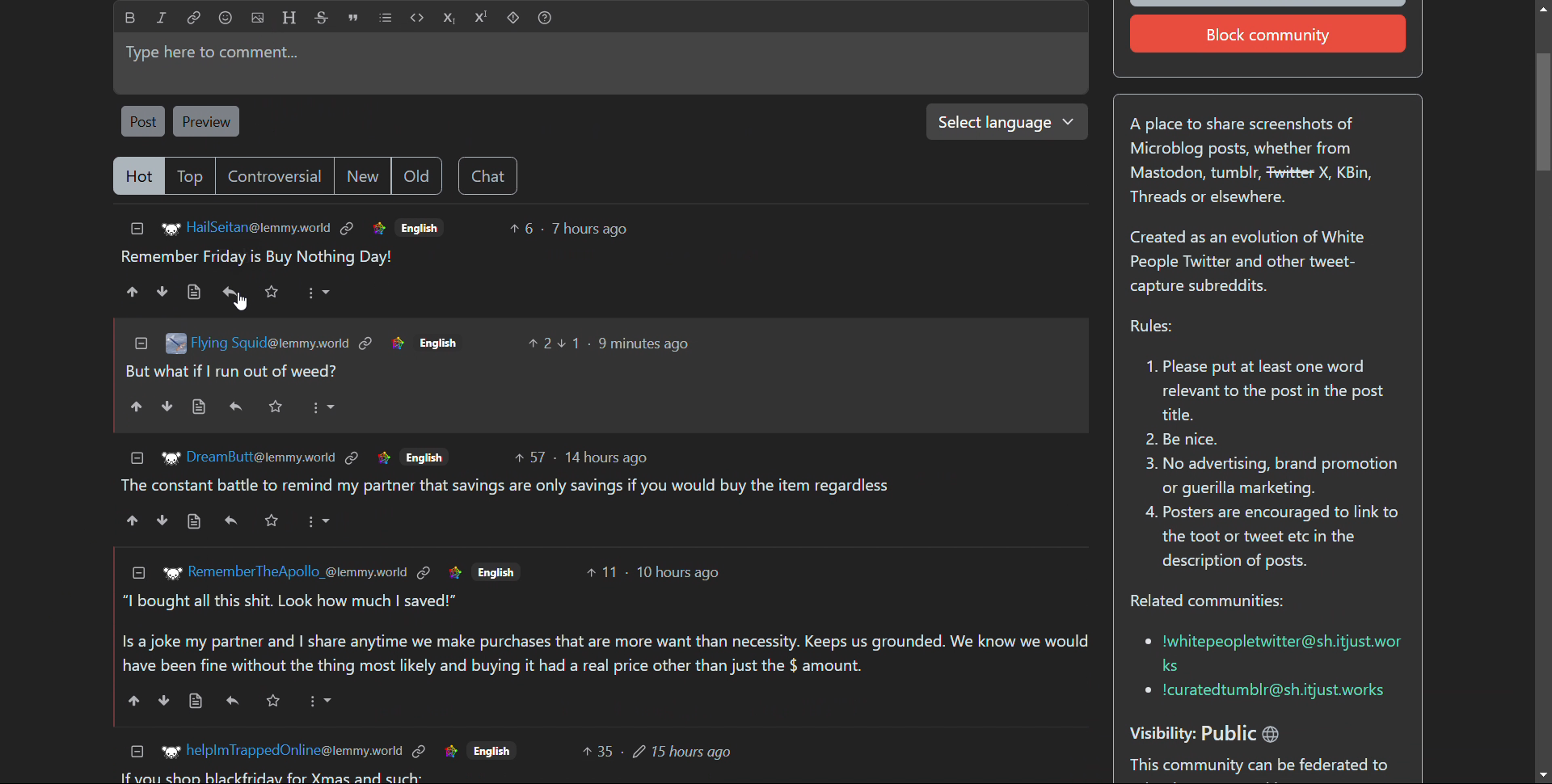 Image resolution: width=1552 pixels, height=784 pixels. What do you see at coordinates (319, 517) in the screenshot?
I see `More` at bounding box center [319, 517].